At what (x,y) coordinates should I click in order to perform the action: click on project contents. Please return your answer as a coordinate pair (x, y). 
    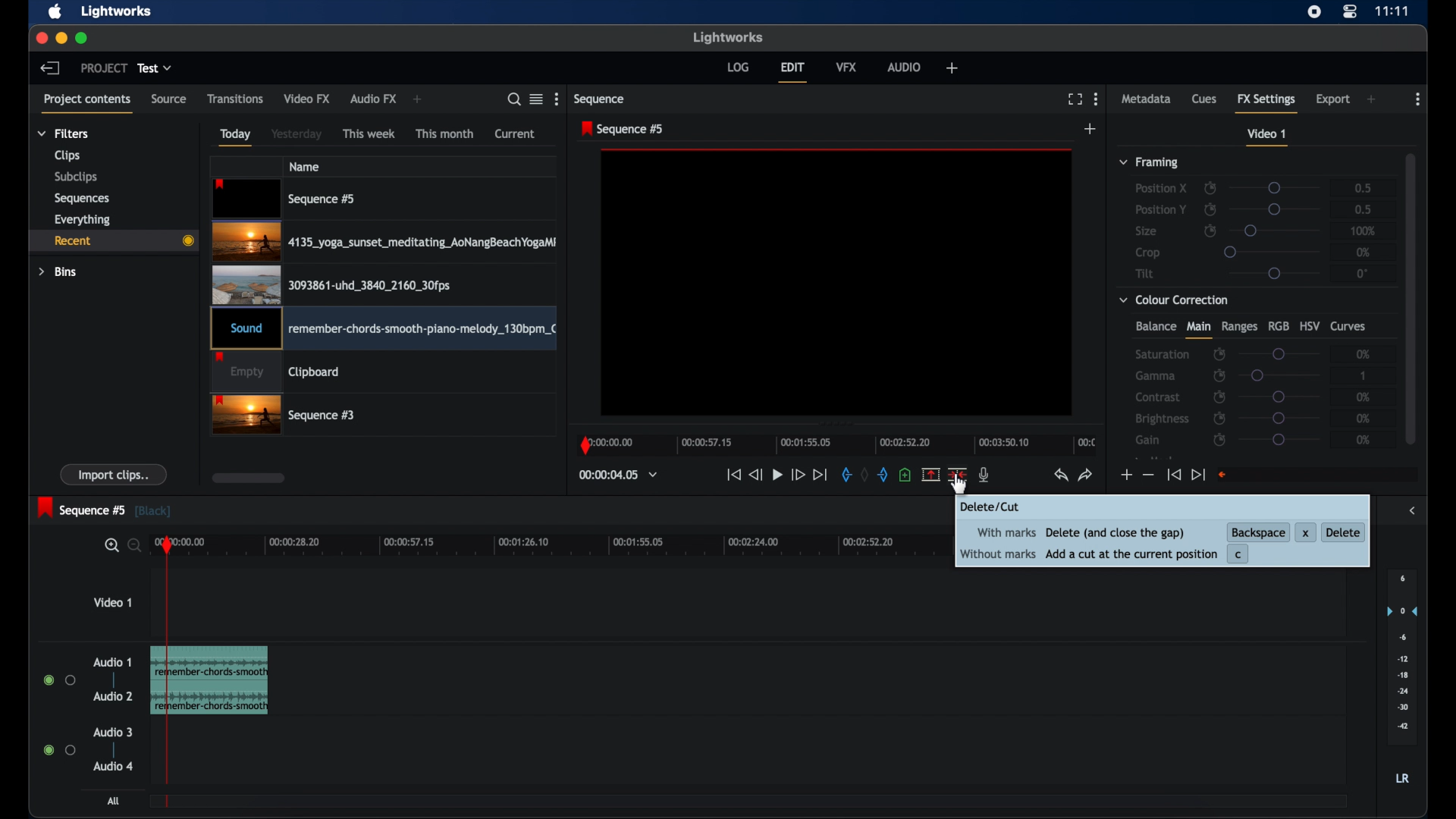
    Looking at the image, I should click on (88, 105).